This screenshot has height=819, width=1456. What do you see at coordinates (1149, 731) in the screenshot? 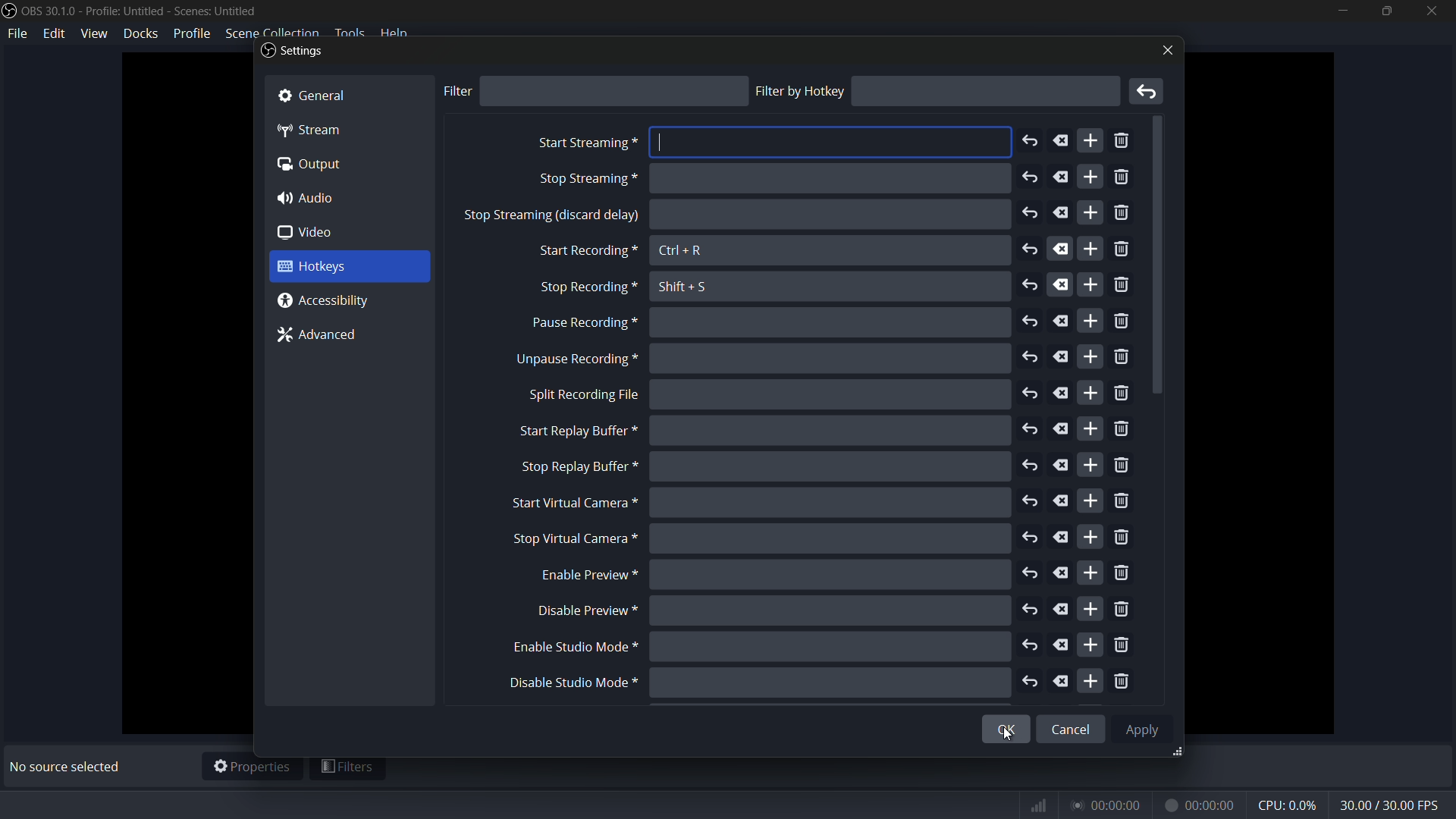
I see `Apply` at bounding box center [1149, 731].